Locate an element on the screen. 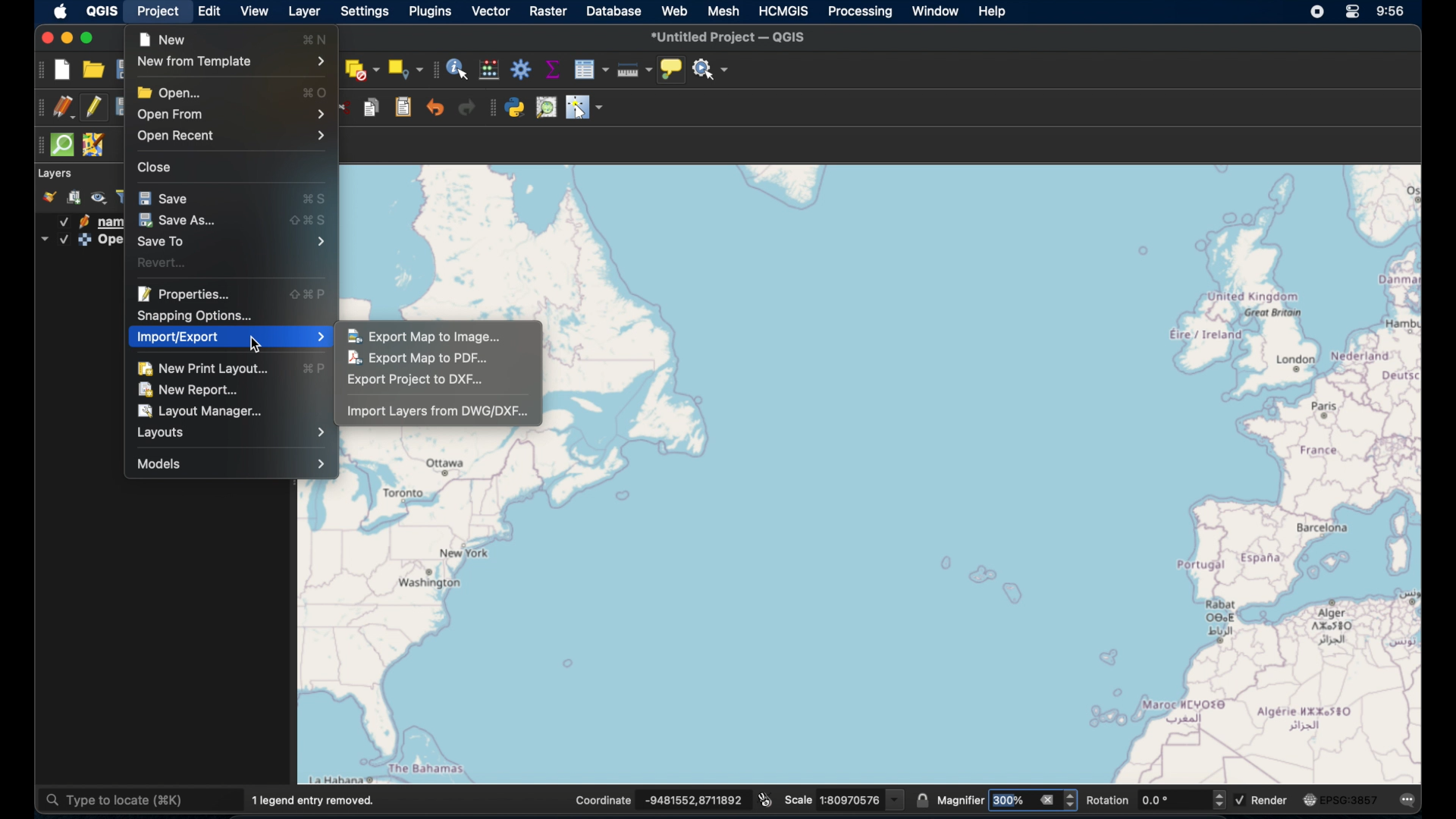  export map to pdf is located at coordinates (422, 359).